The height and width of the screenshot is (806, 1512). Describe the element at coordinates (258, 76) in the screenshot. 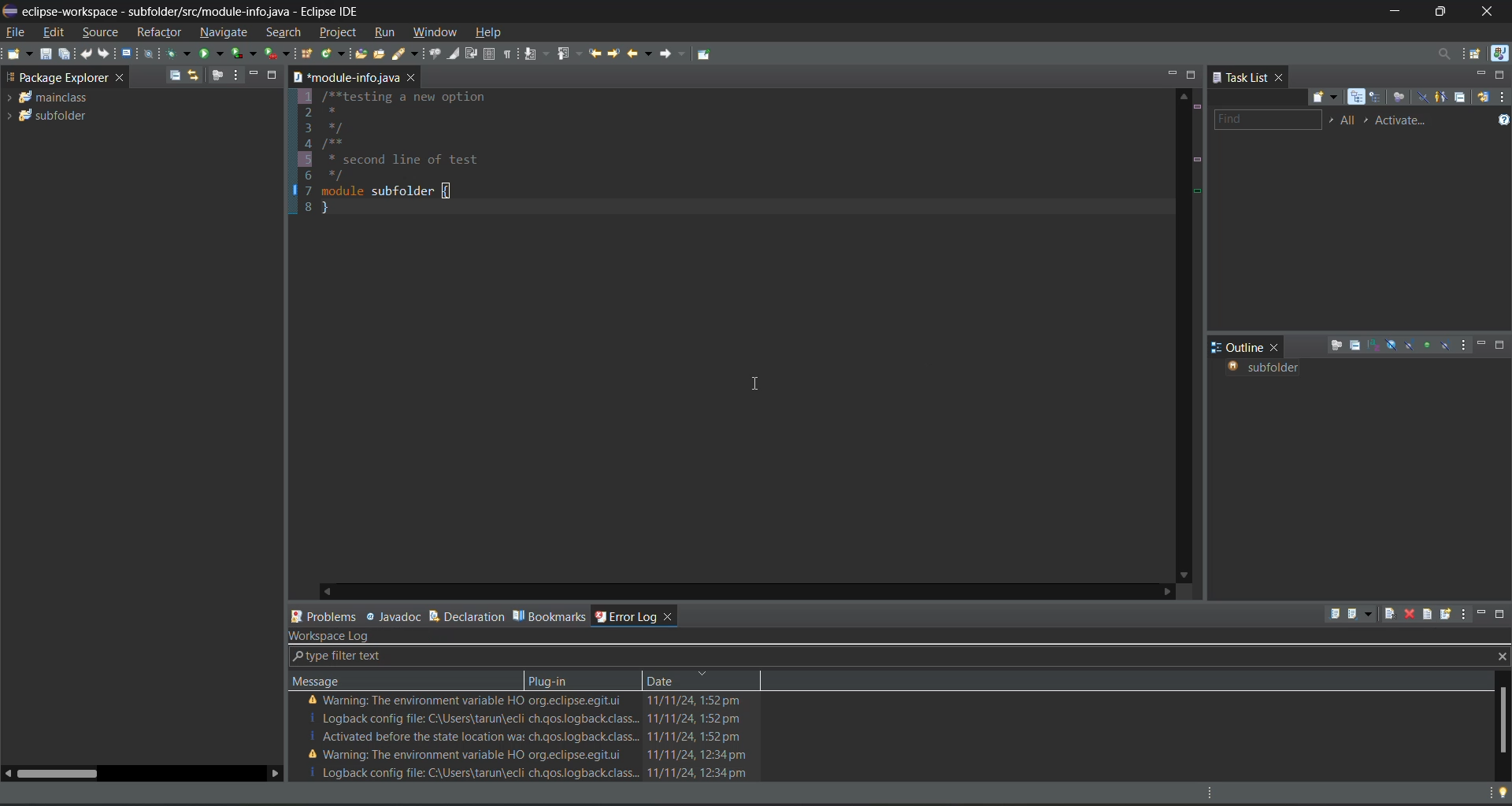

I see `minimize` at that location.